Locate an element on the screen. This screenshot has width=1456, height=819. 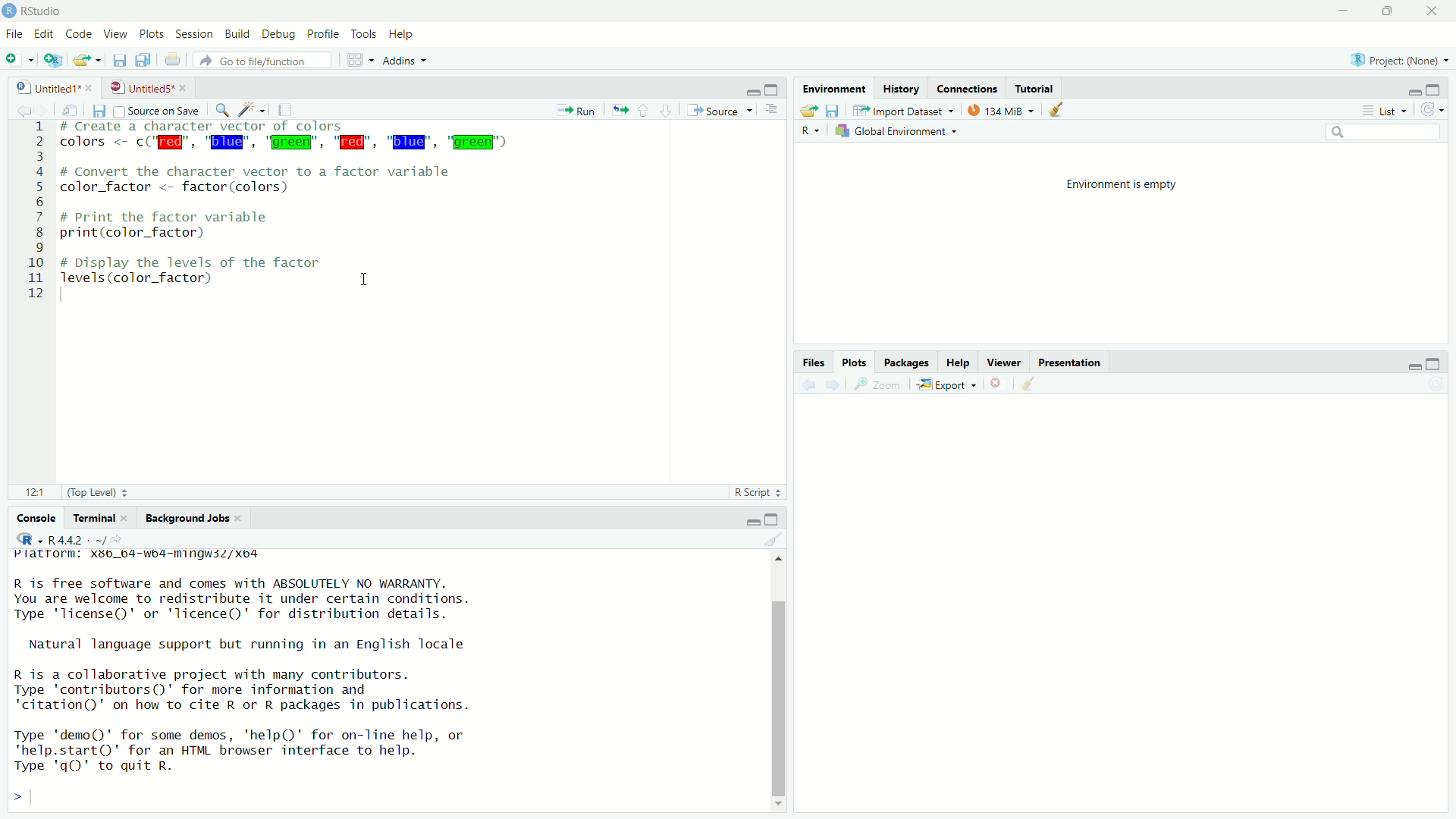
go forward to the next source location is located at coordinates (47, 110).